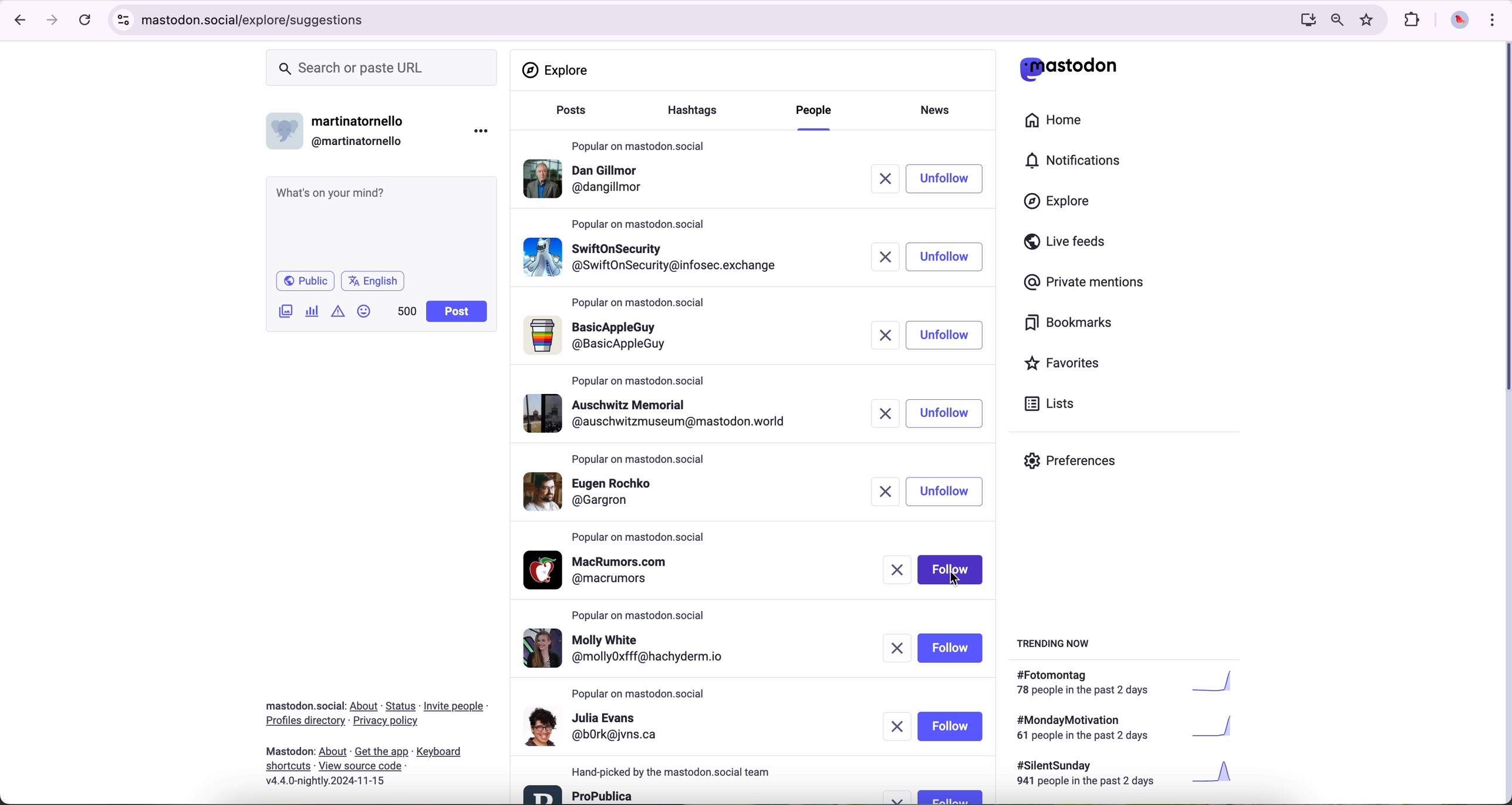 The width and height of the screenshot is (1512, 805). Describe the element at coordinates (640, 304) in the screenshot. I see `popular on mastodon.social` at that location.